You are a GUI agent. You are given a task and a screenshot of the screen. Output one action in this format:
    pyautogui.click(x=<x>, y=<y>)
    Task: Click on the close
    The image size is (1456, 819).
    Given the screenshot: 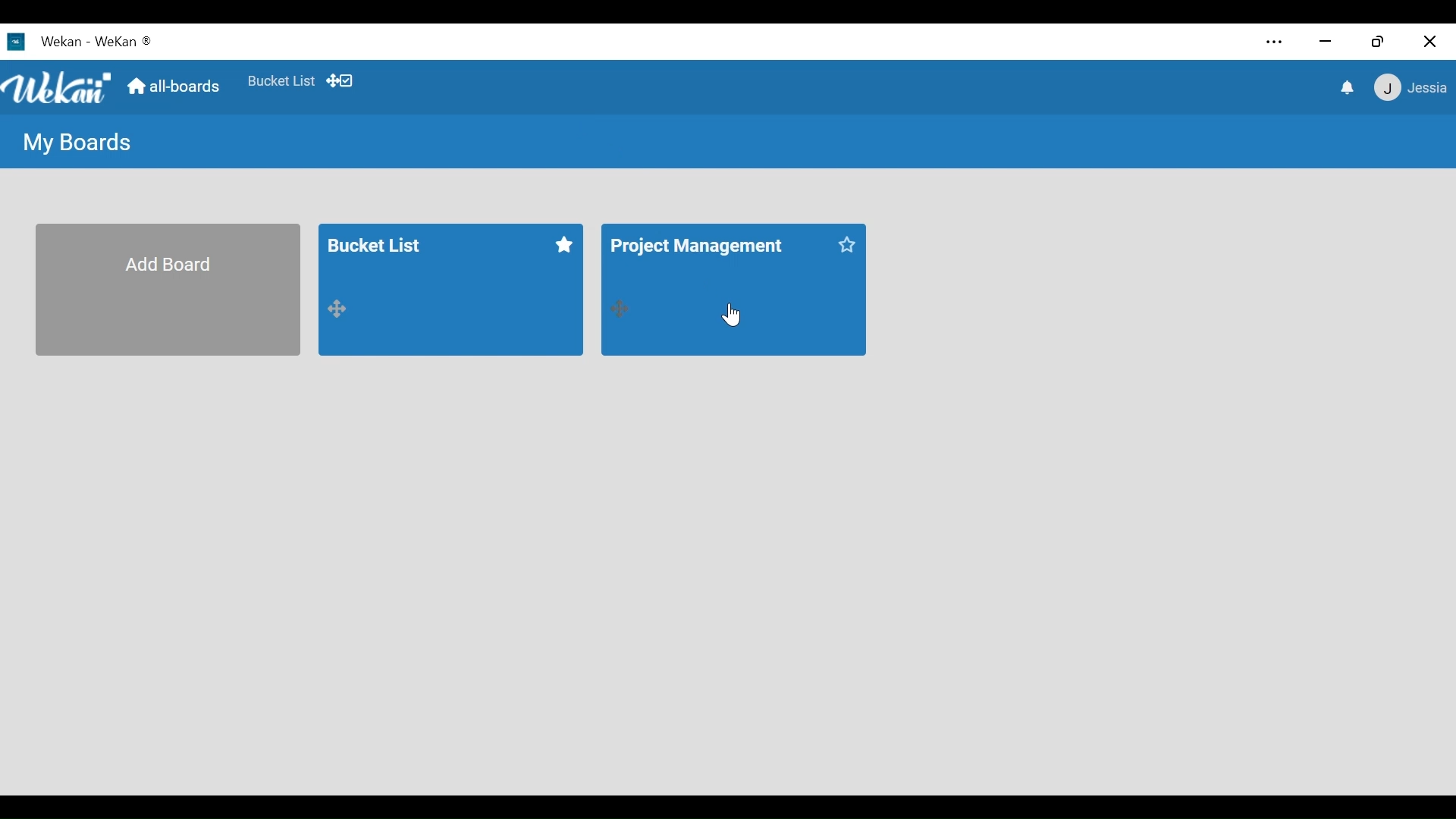 What is the action you would take?
    pyautogui.click(x=1430, y=42)
    